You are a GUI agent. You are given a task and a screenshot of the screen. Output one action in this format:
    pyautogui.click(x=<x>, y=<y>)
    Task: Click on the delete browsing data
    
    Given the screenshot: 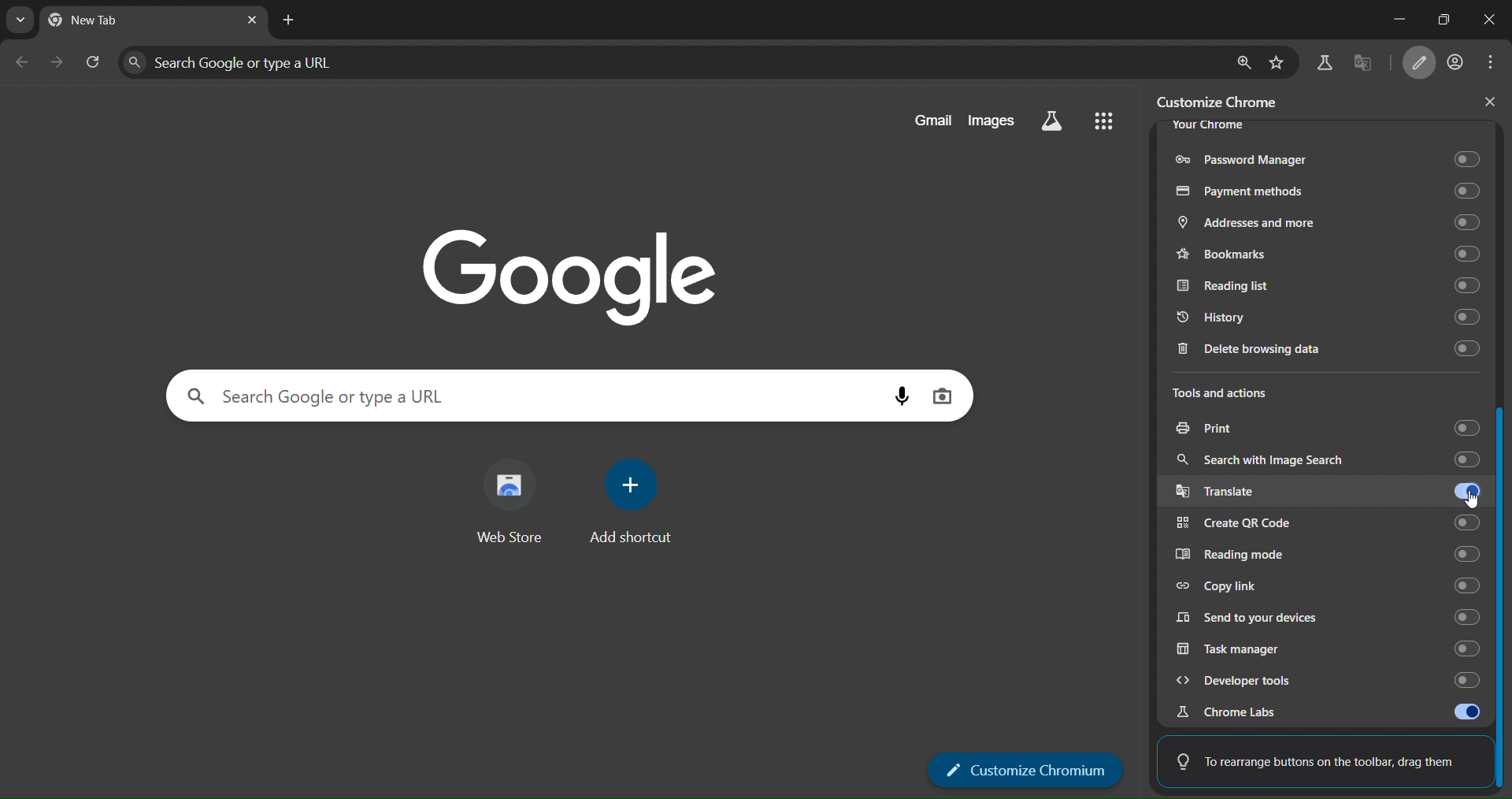 What is the action you would take?
    pyautogui.click(x=1324, y=351)
    